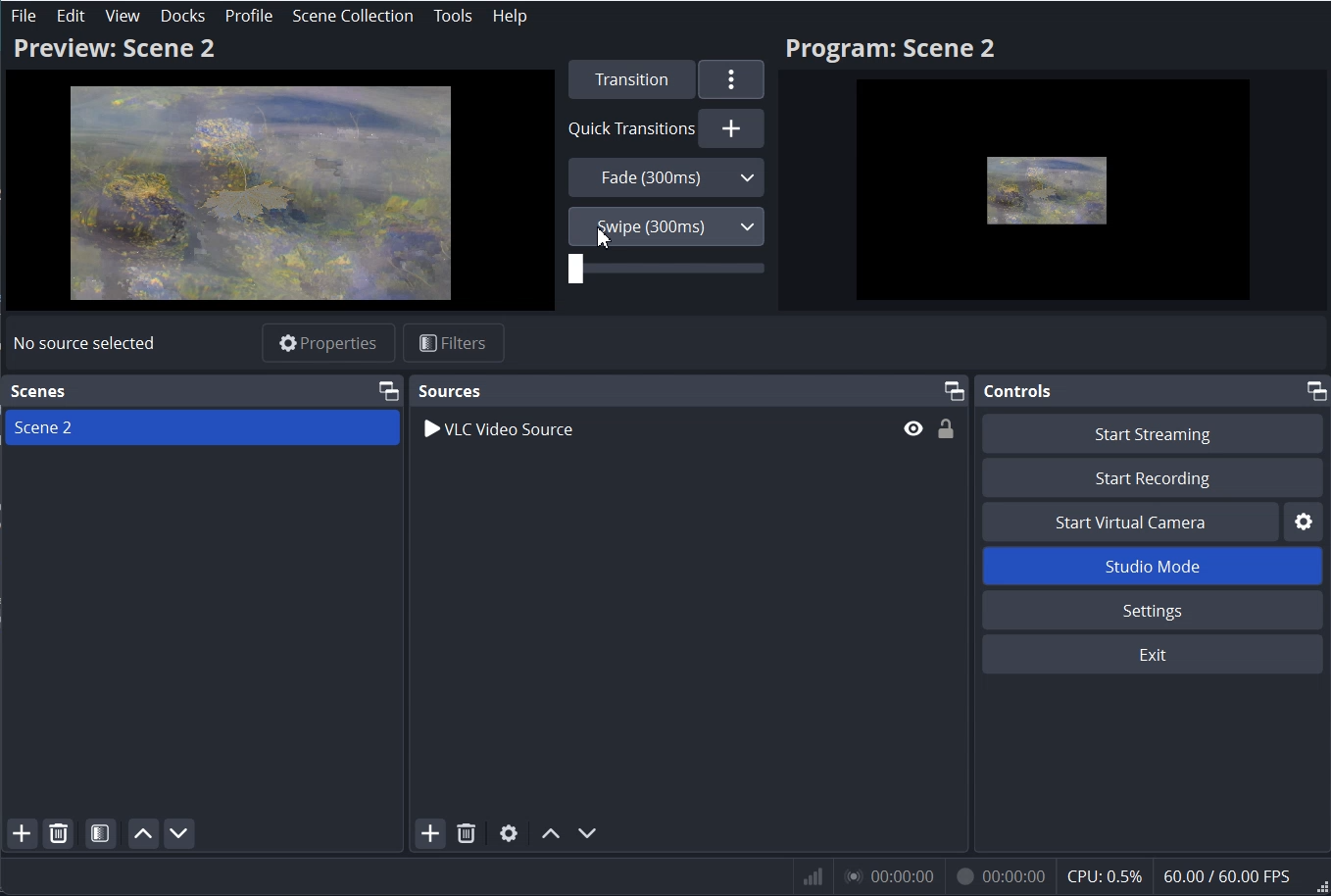  Describe the element at coordinates (1156, 565) in the screenshot. I see `Studio Mode` at that location.